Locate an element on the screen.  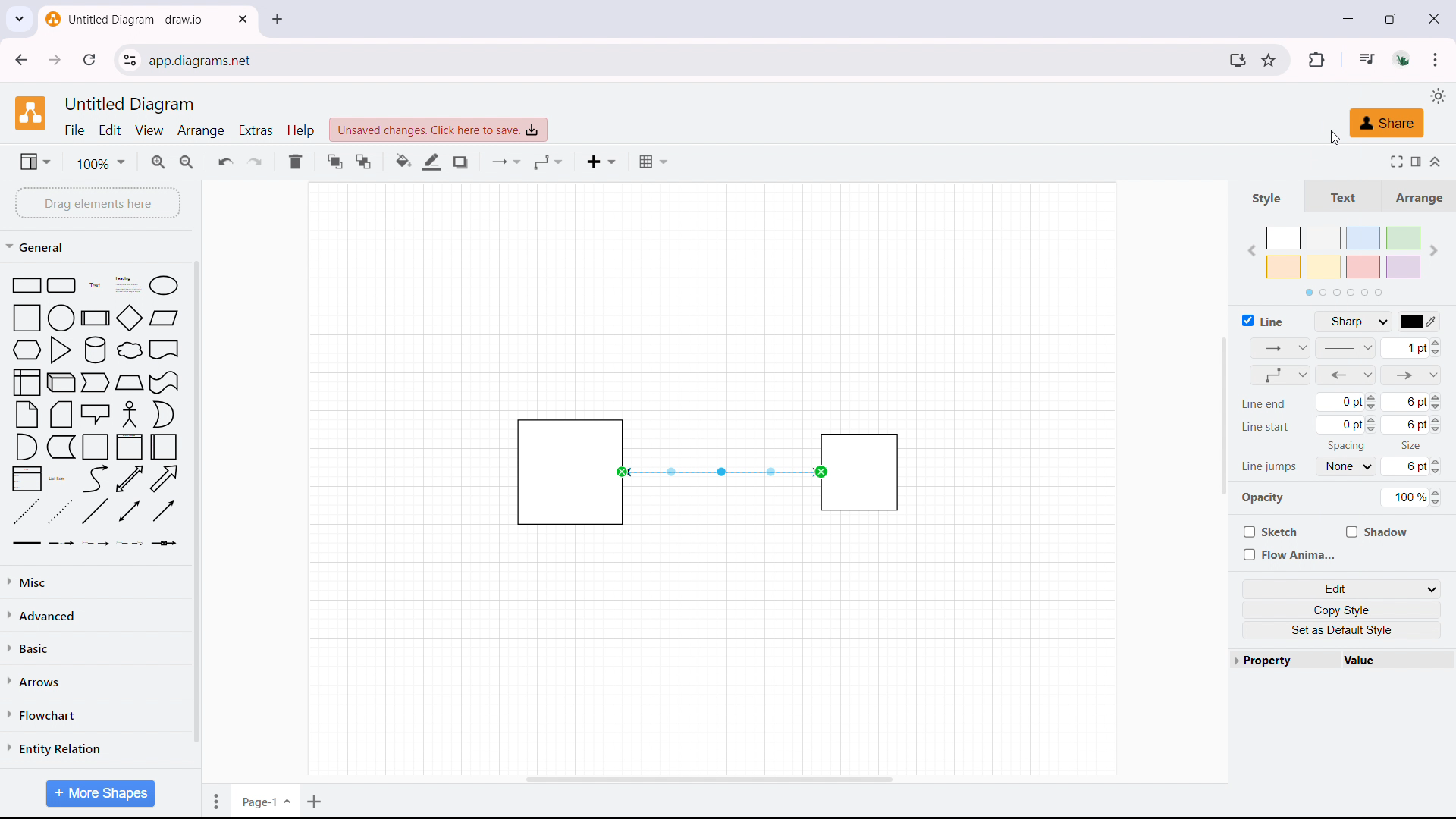
fill color is located at coordinates (403, 162).